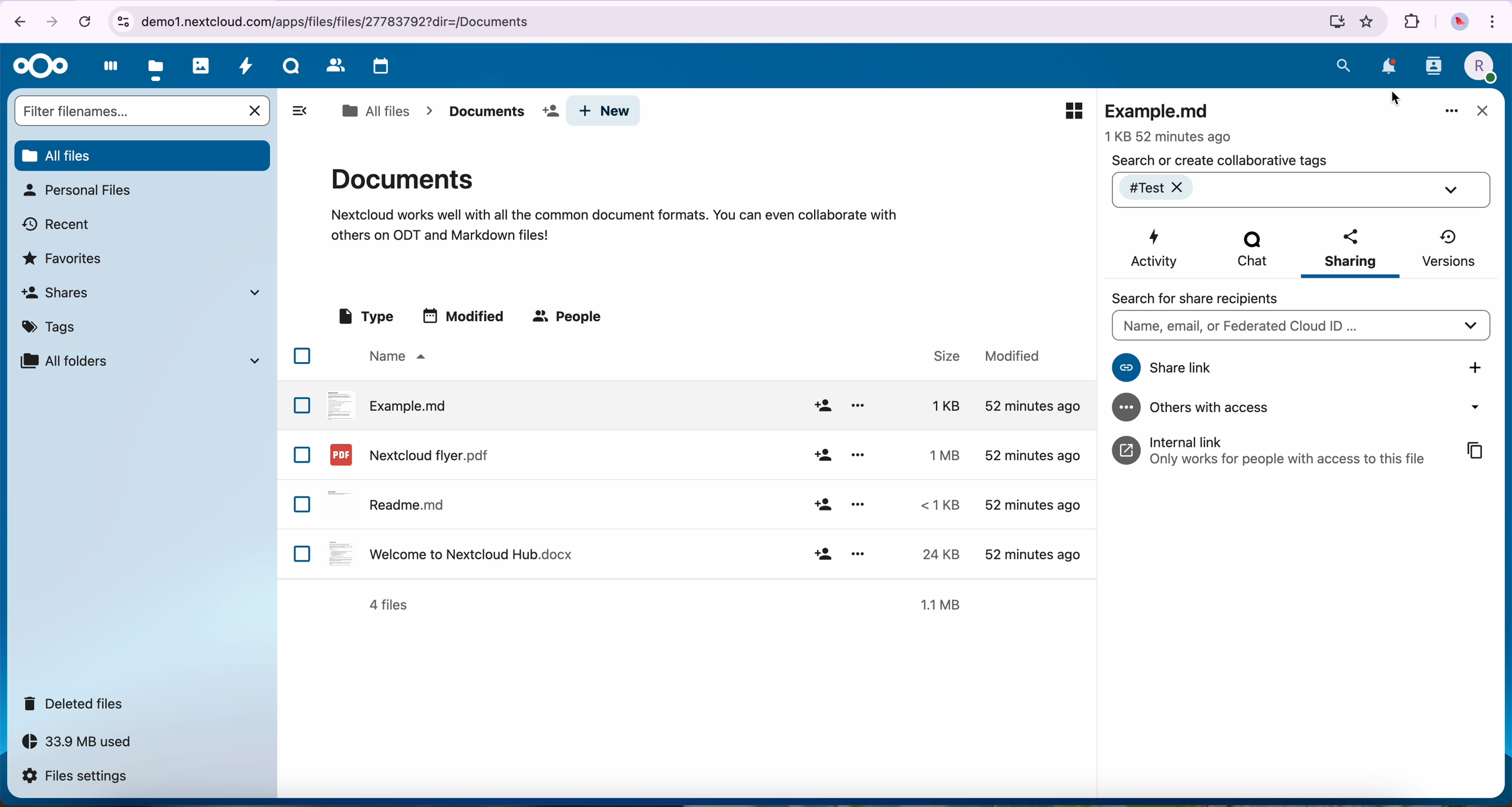 The image size is (1512, 807). What do you see at coordinates (1433, 70) in the screenshot?
I see `contacts` at bounding box center [1433, 70].